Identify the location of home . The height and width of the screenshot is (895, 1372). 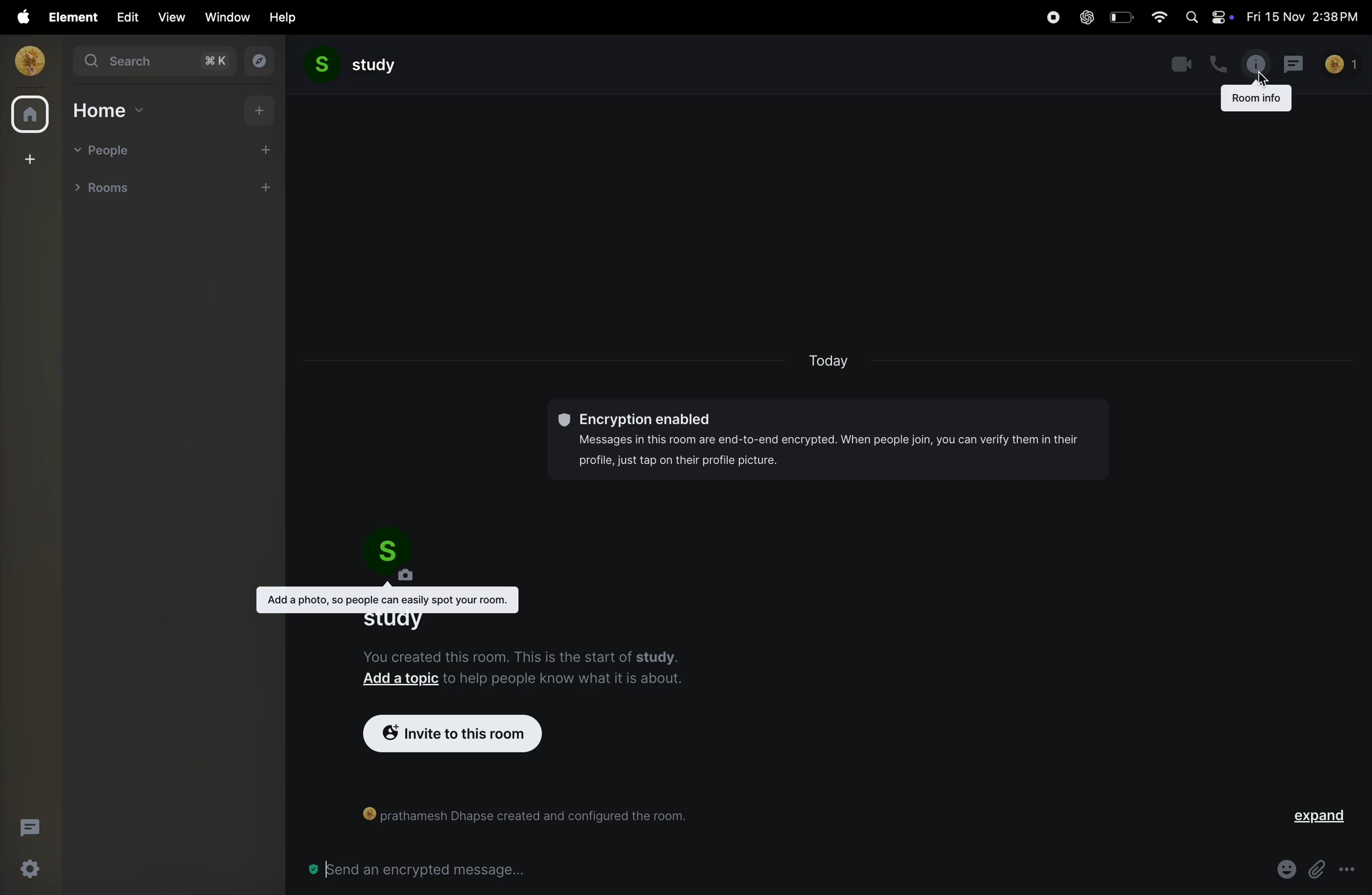
(29, 116).